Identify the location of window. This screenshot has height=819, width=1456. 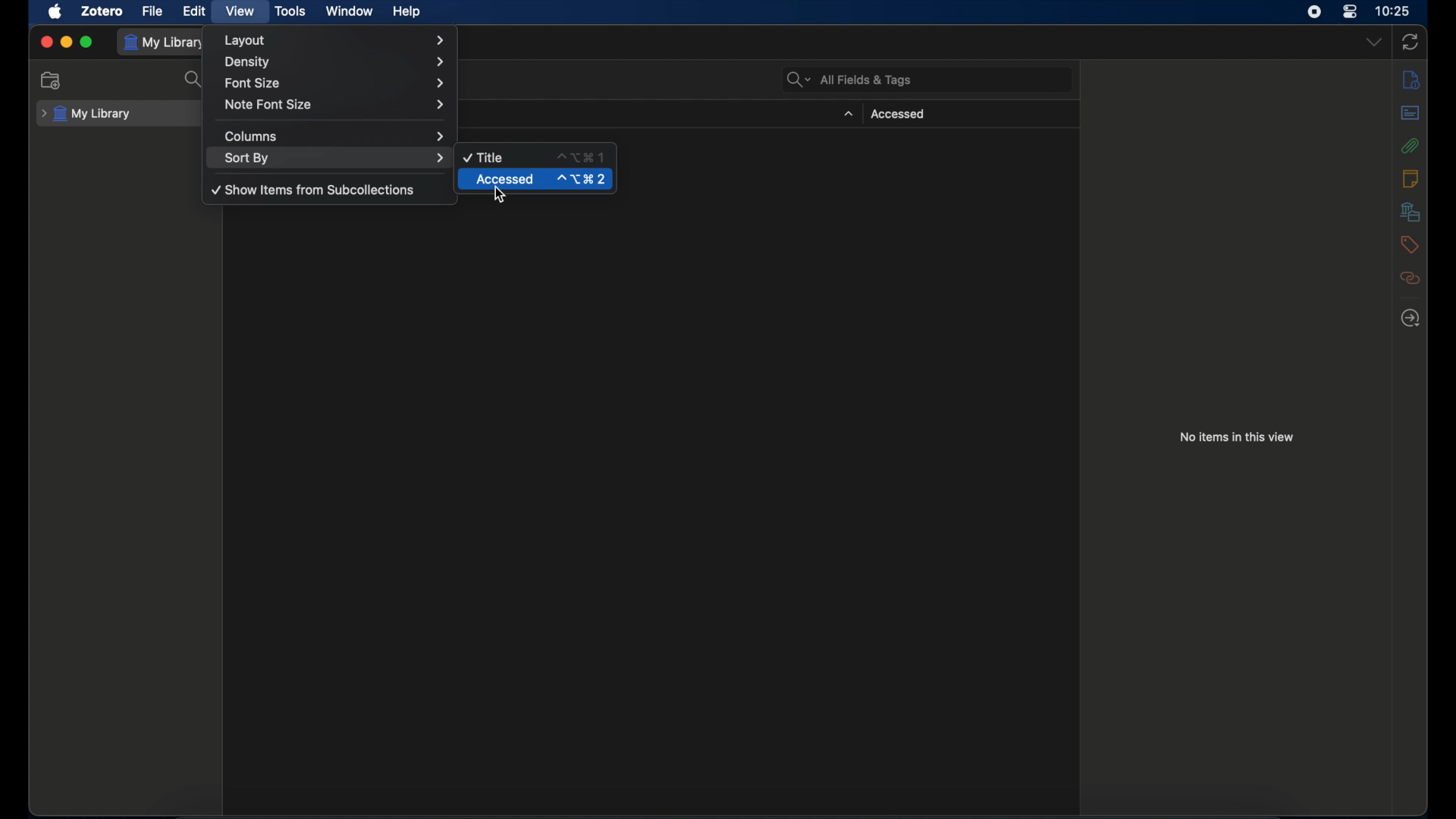
(350, 11).